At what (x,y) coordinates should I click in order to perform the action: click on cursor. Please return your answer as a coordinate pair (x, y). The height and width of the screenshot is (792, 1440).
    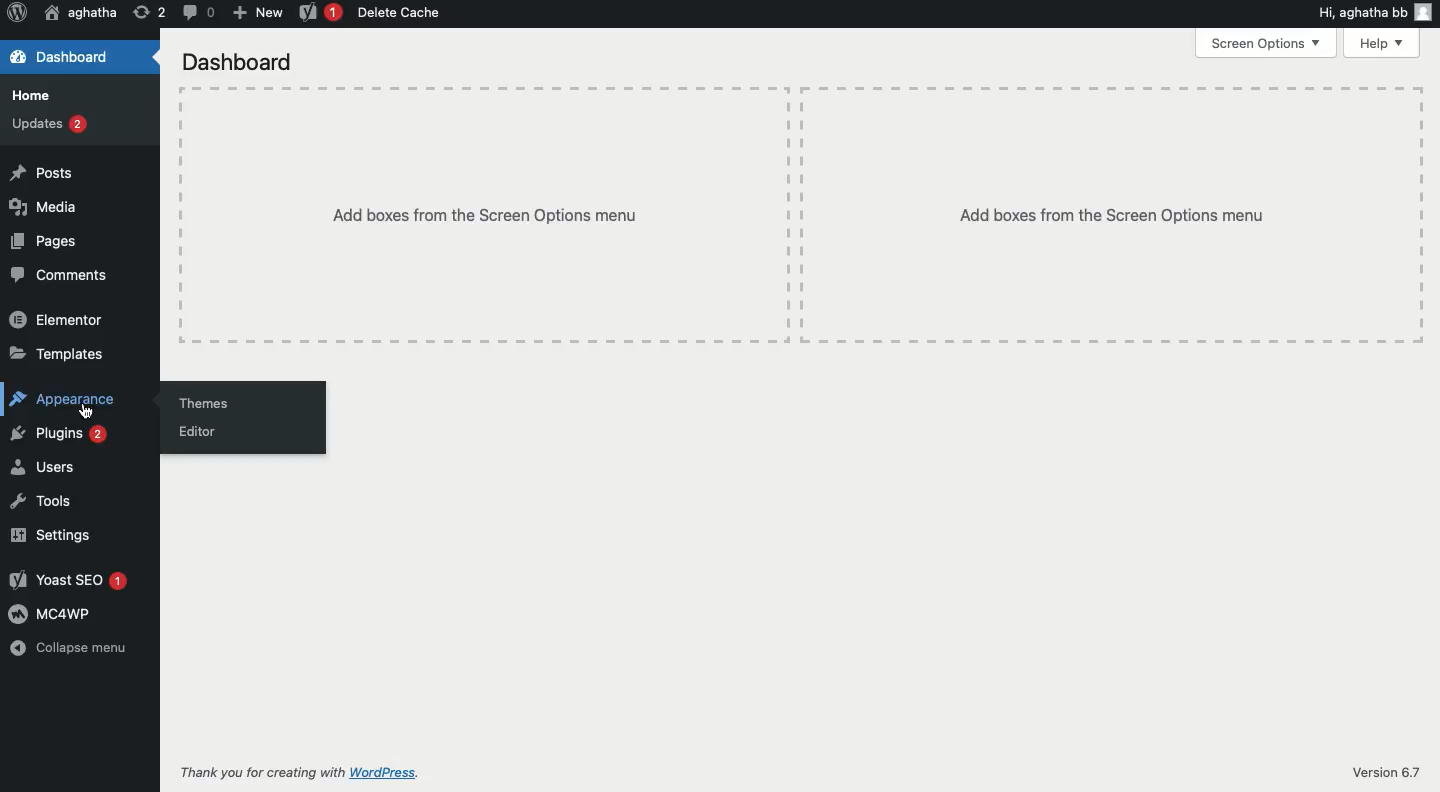
    Looking at the image, I should click on (87, 411).